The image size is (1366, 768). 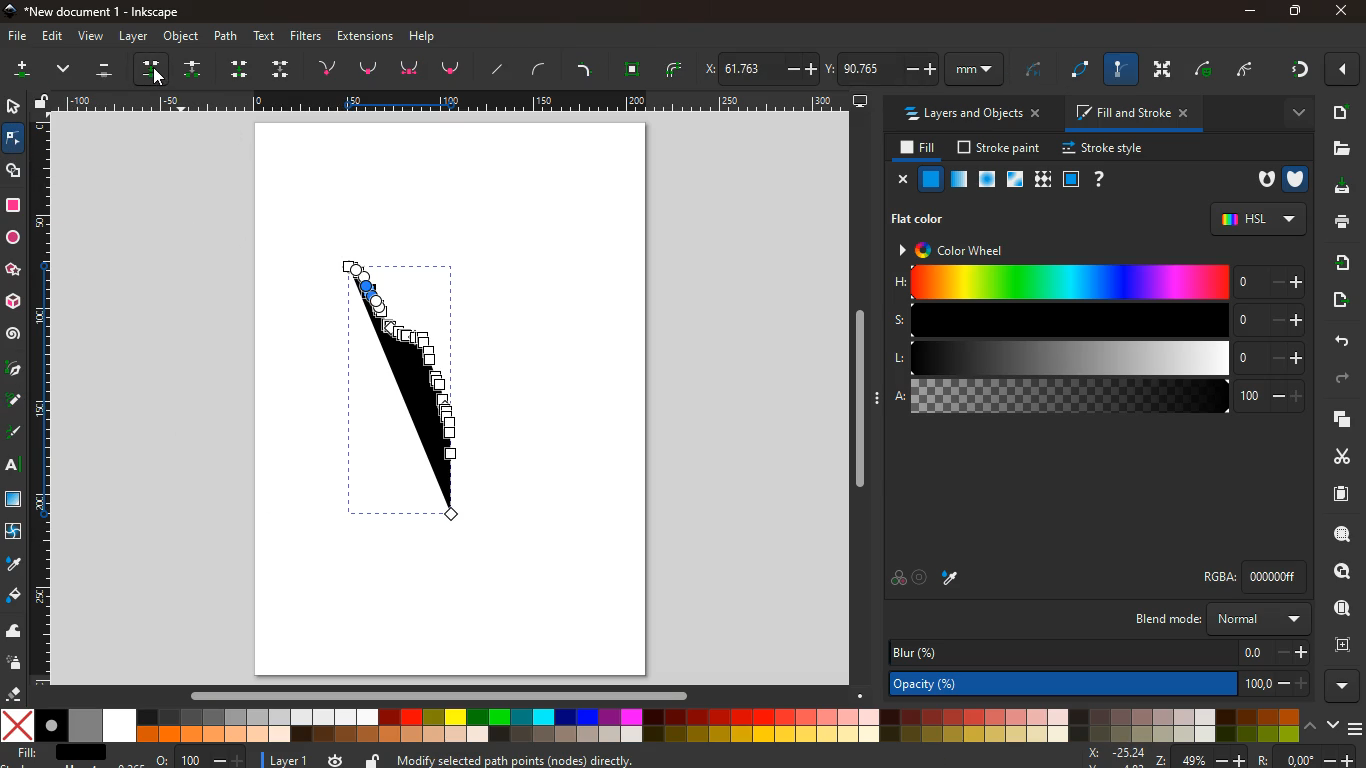 I want to click on send, so click(x=1343, y=302).